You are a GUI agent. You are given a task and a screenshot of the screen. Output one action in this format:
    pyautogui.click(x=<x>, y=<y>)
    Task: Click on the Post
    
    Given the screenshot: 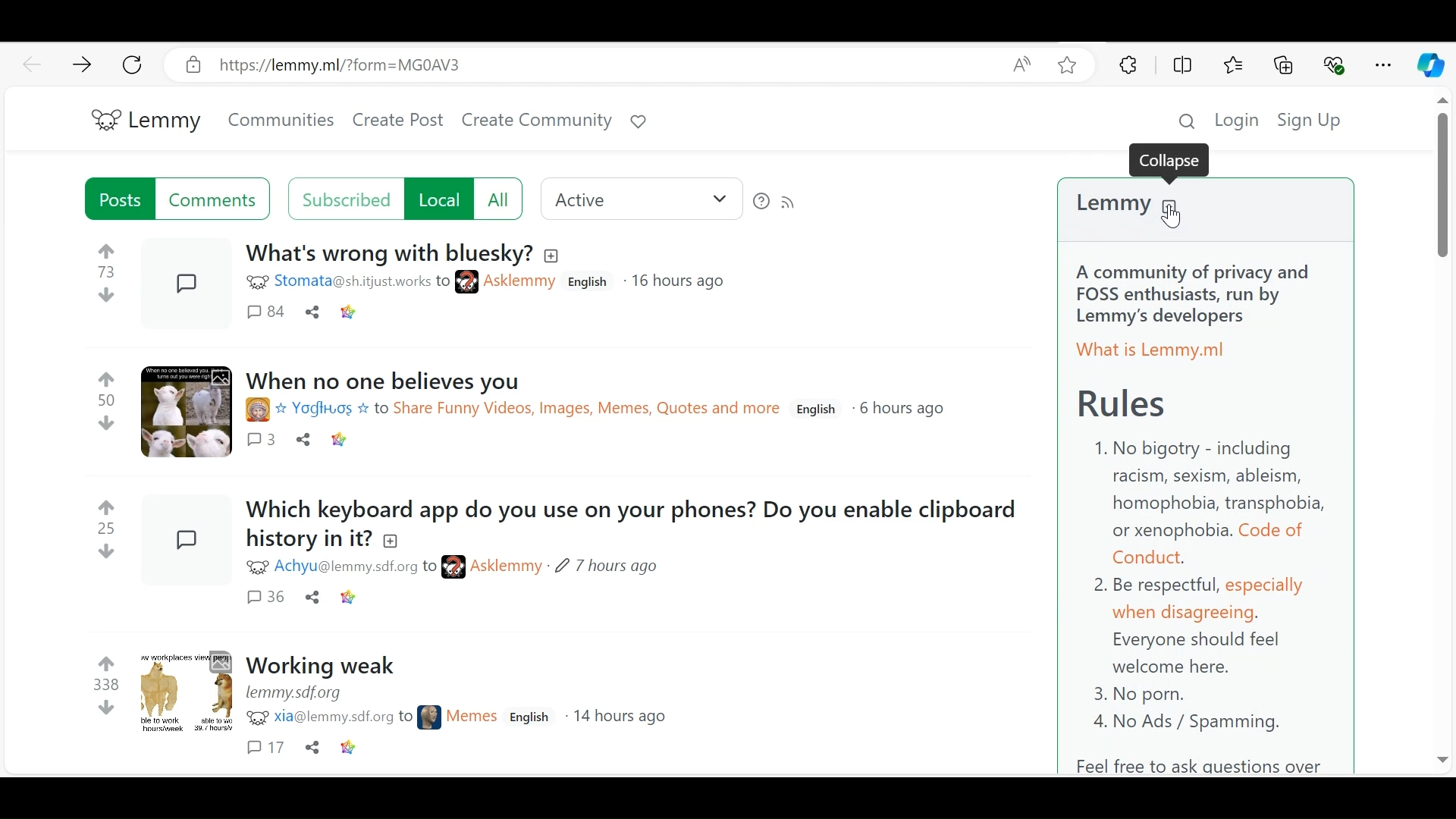 What is the action you would take?
    pyautogui.click(x=181, y=532)
    